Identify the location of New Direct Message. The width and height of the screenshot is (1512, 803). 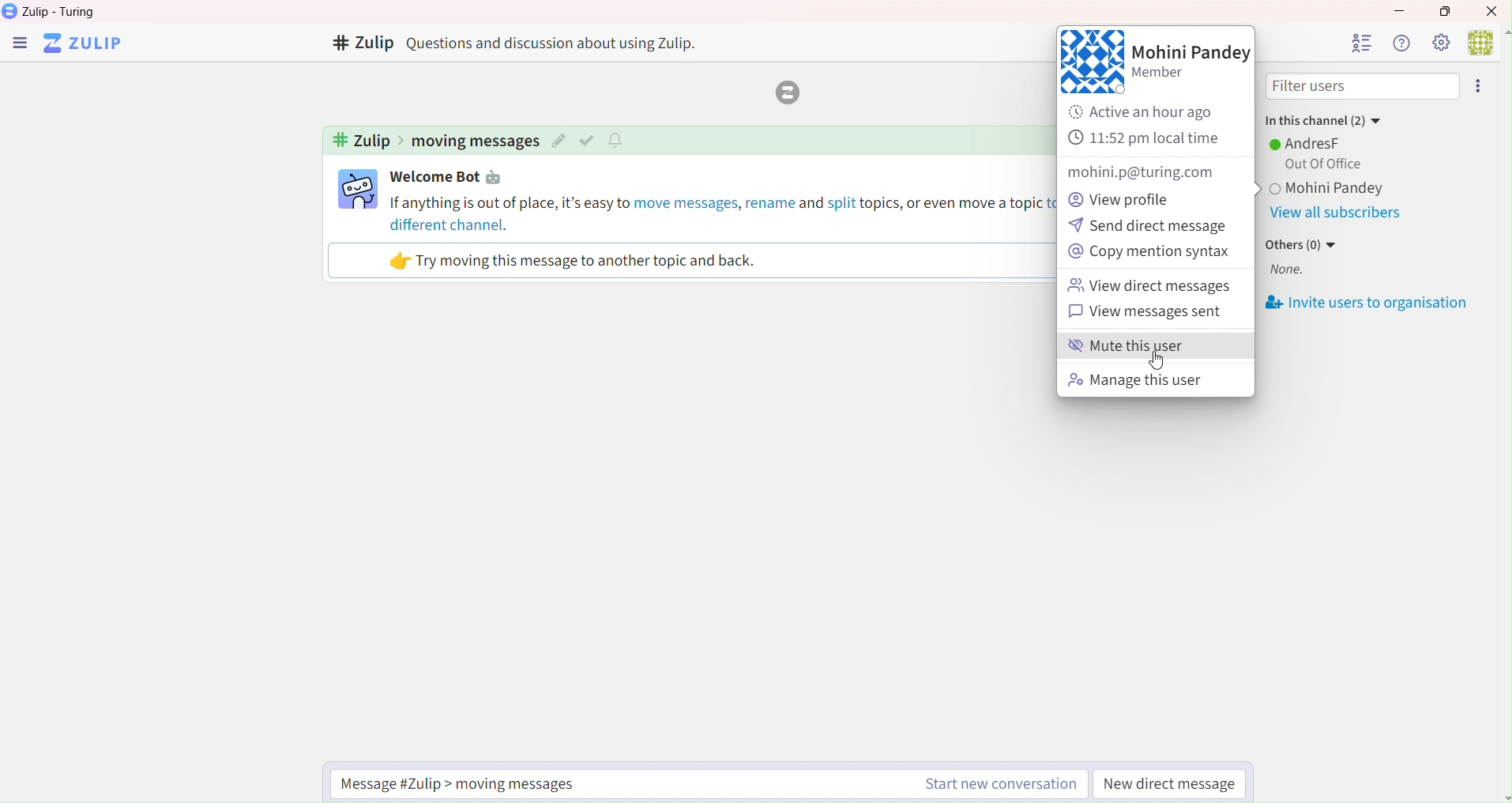
(1171, 786).